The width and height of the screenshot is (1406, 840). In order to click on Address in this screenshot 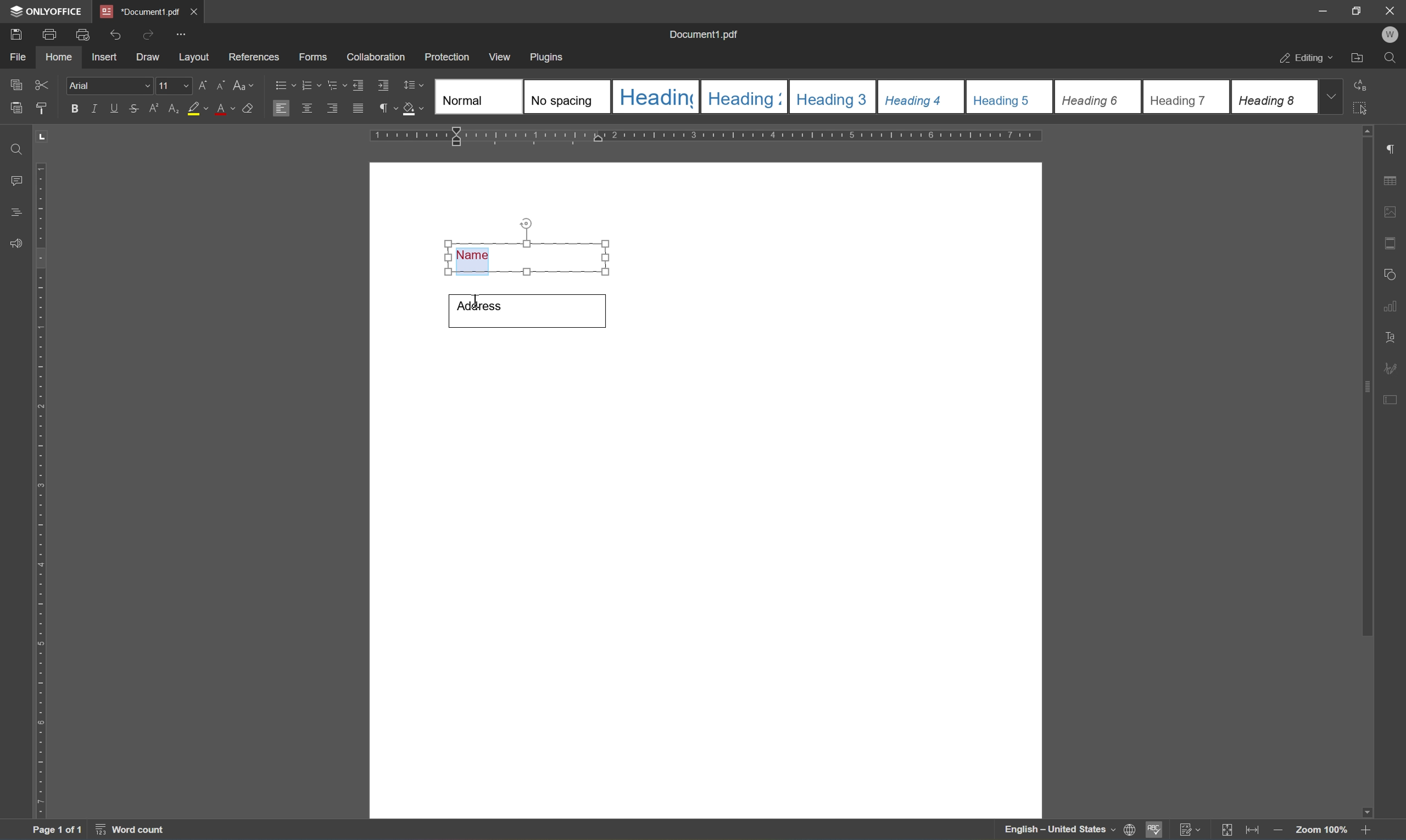, I will do `click(530, 308)`.